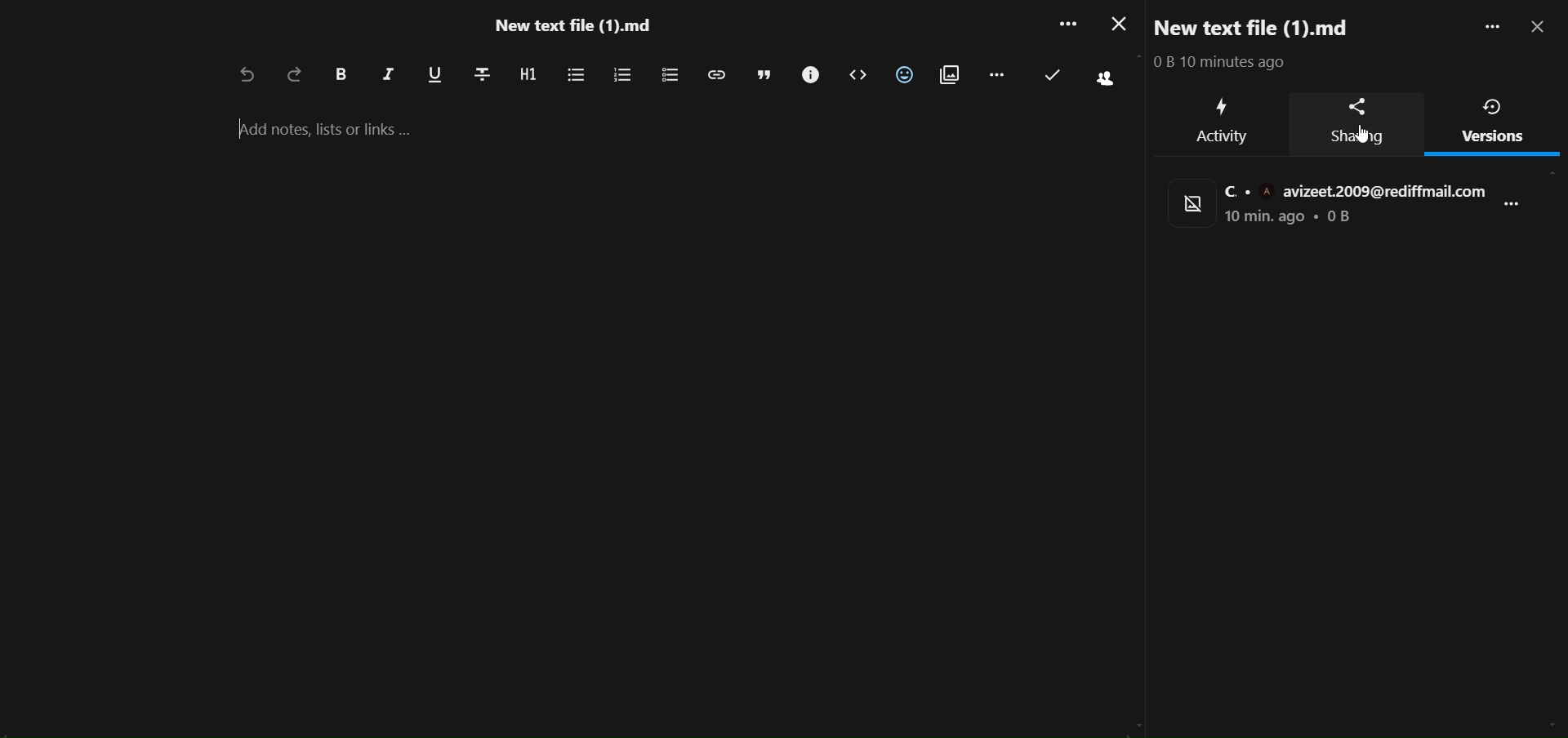  I want to click on underline, so click(434, 76).